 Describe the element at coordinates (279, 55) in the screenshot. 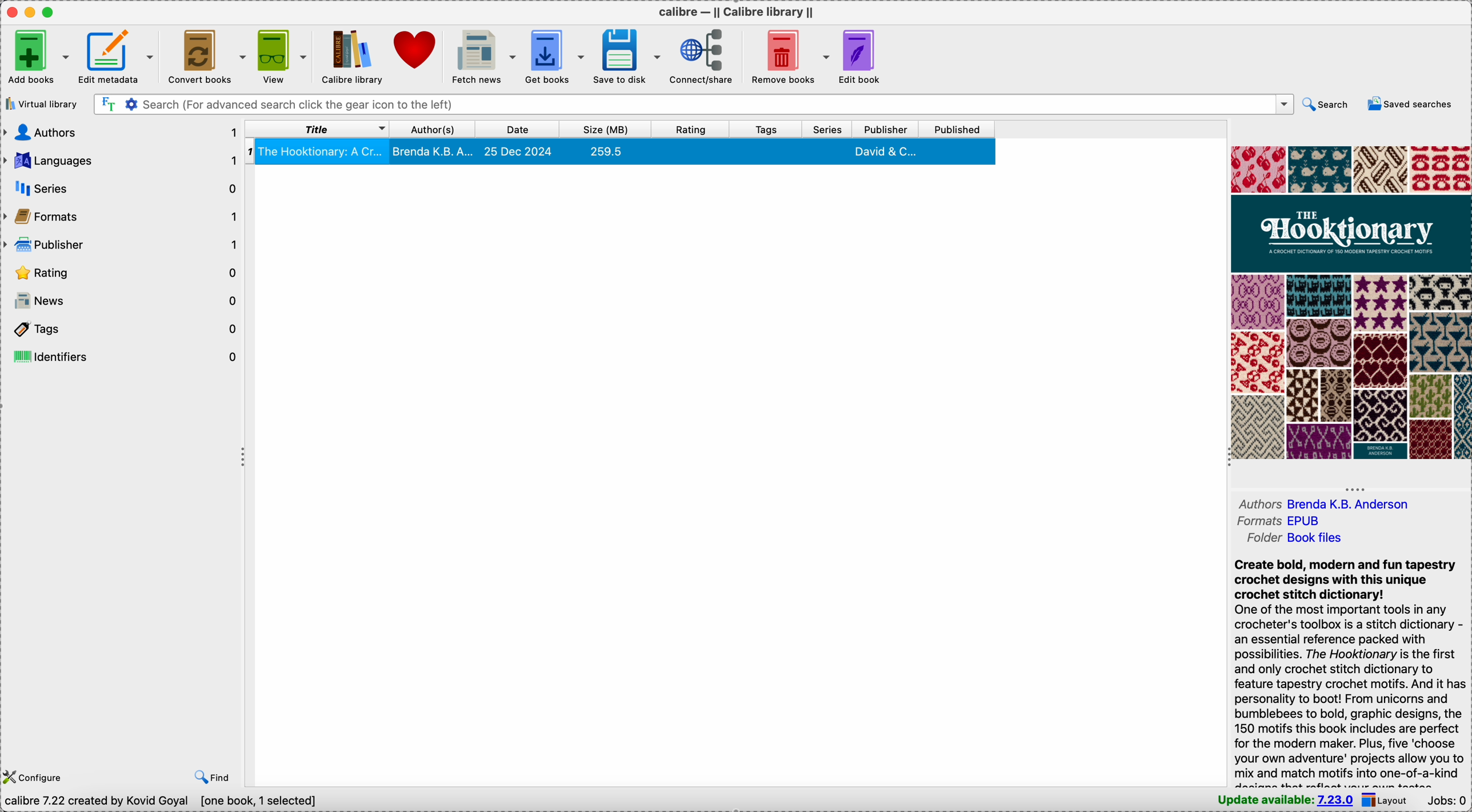

I see `view` at that location.